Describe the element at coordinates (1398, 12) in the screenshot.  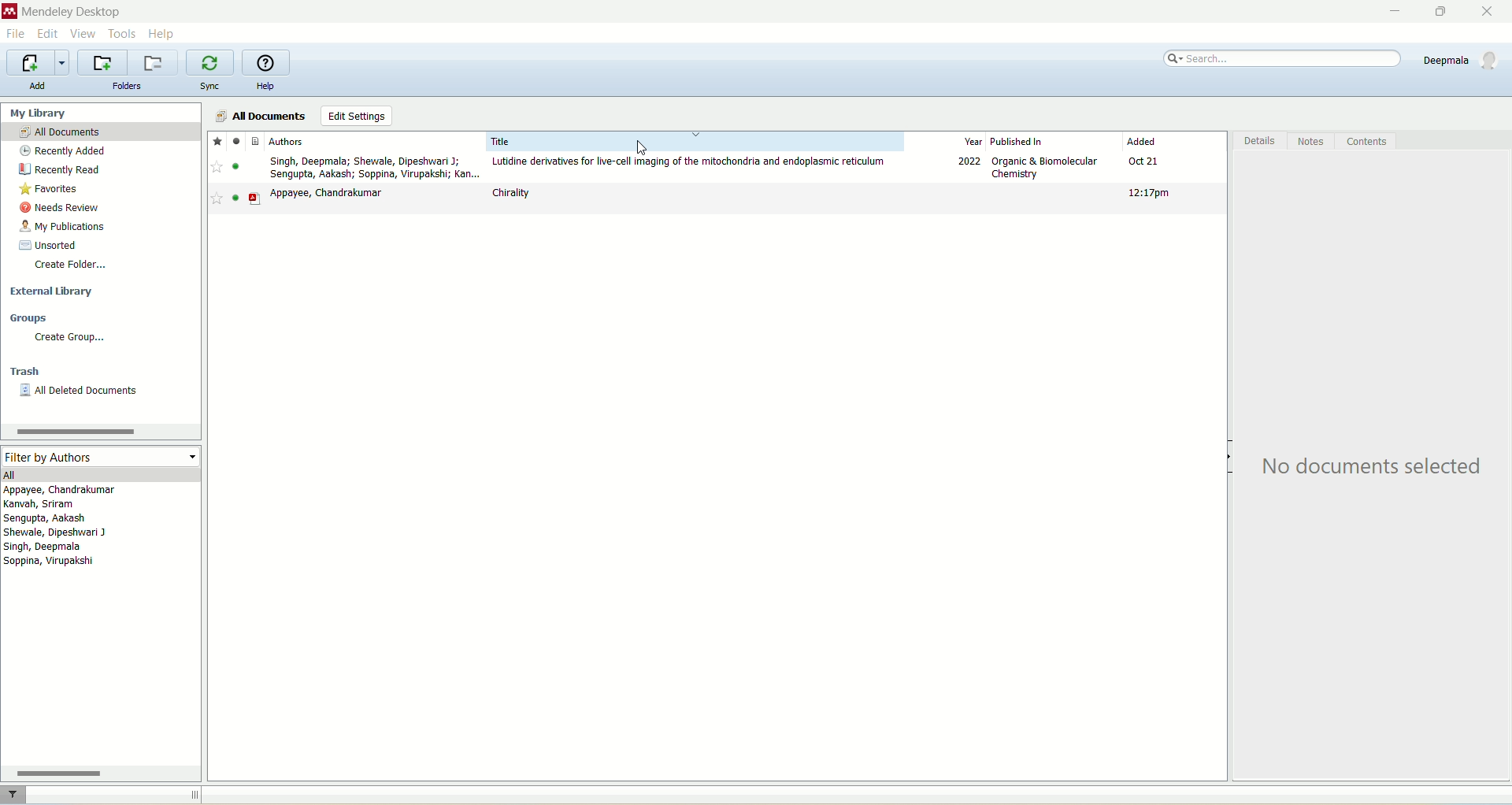
I see `minimize` at that location.